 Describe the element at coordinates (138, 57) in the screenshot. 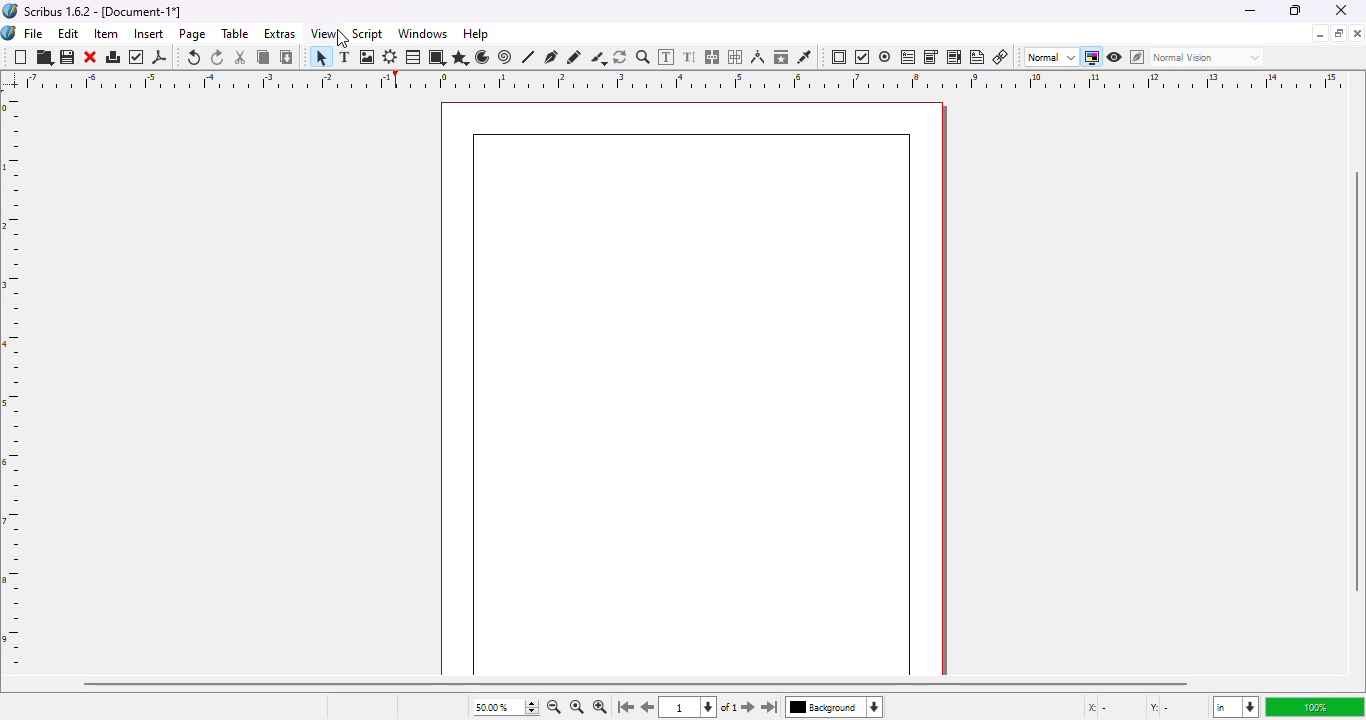

I see `preflight verifier` at that location.